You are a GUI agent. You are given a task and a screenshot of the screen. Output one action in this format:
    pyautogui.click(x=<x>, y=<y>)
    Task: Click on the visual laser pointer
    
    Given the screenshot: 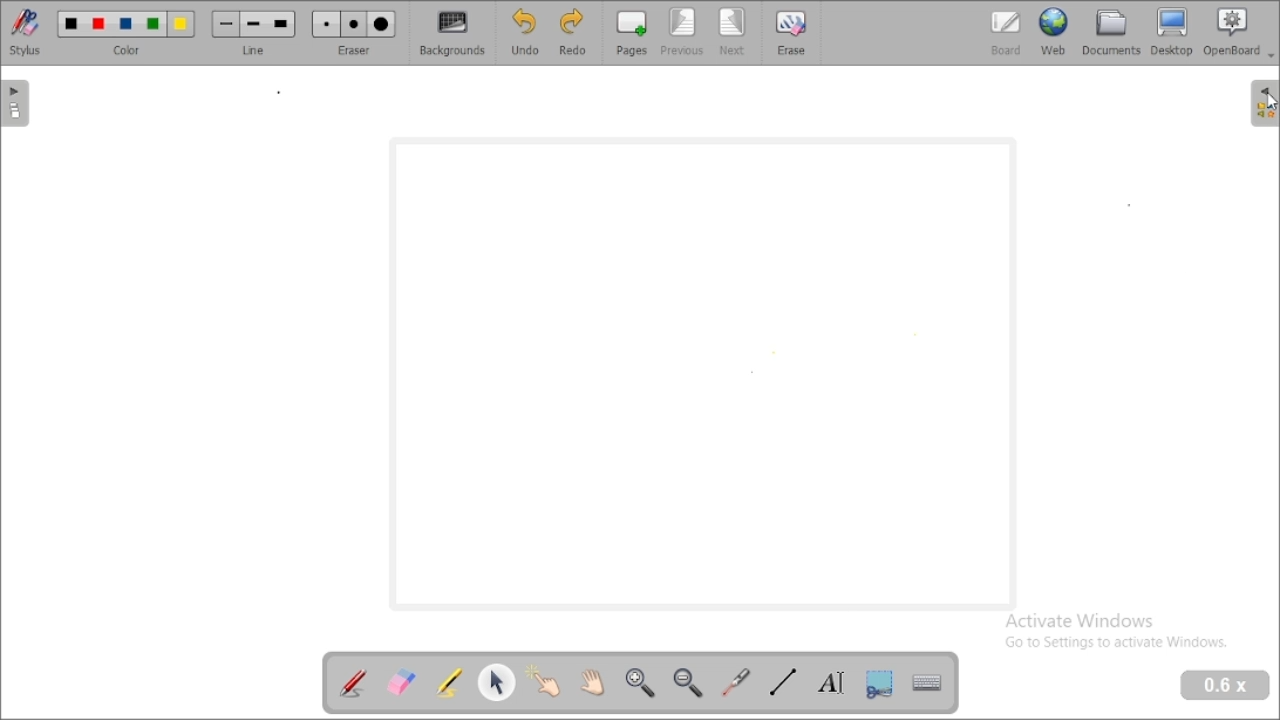 What is the action you would take?
    pyautogui.click(x=737, y=683)
    